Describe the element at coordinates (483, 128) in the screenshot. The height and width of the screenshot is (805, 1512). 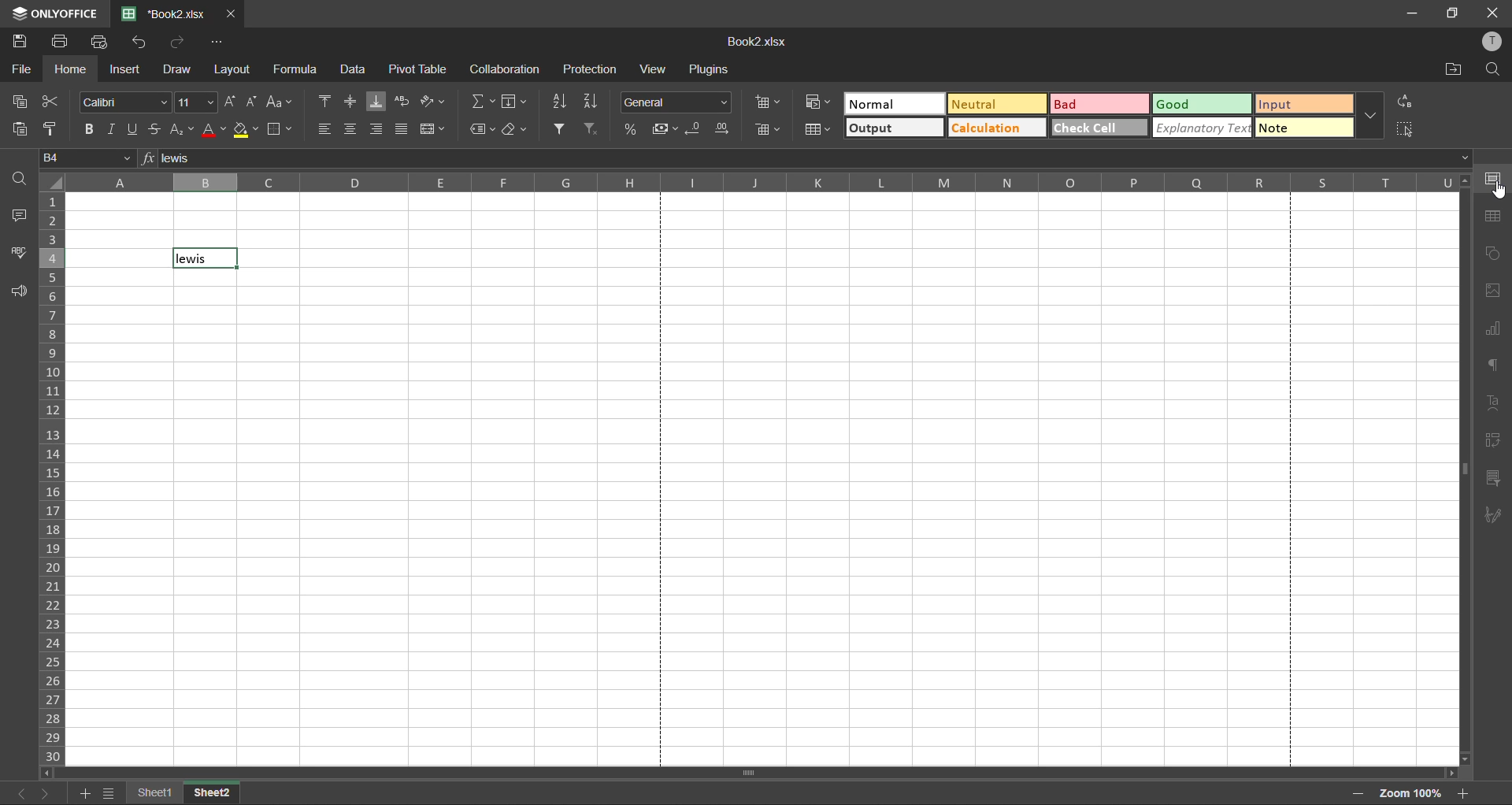
I see `named ranges` at that location.